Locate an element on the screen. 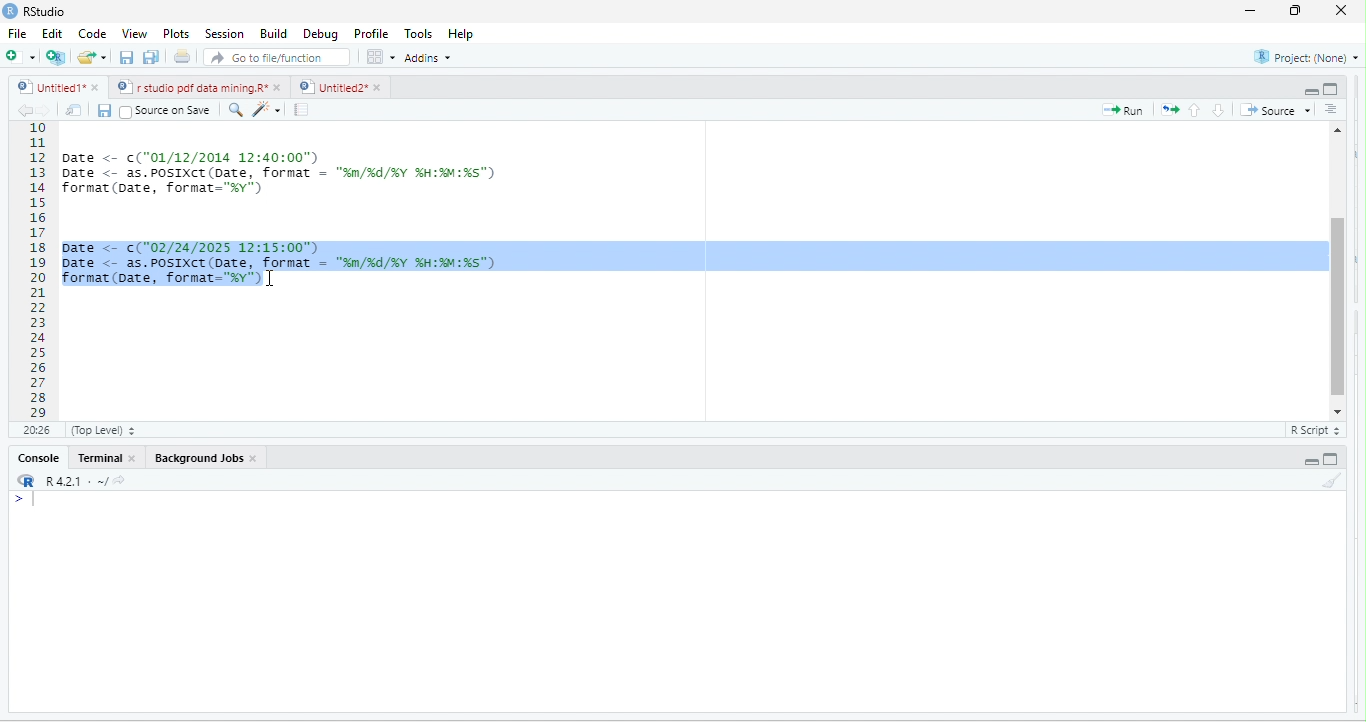 The height and width of the screenshot is (722, 1366). maximize is located at coordinates (1292, 12).